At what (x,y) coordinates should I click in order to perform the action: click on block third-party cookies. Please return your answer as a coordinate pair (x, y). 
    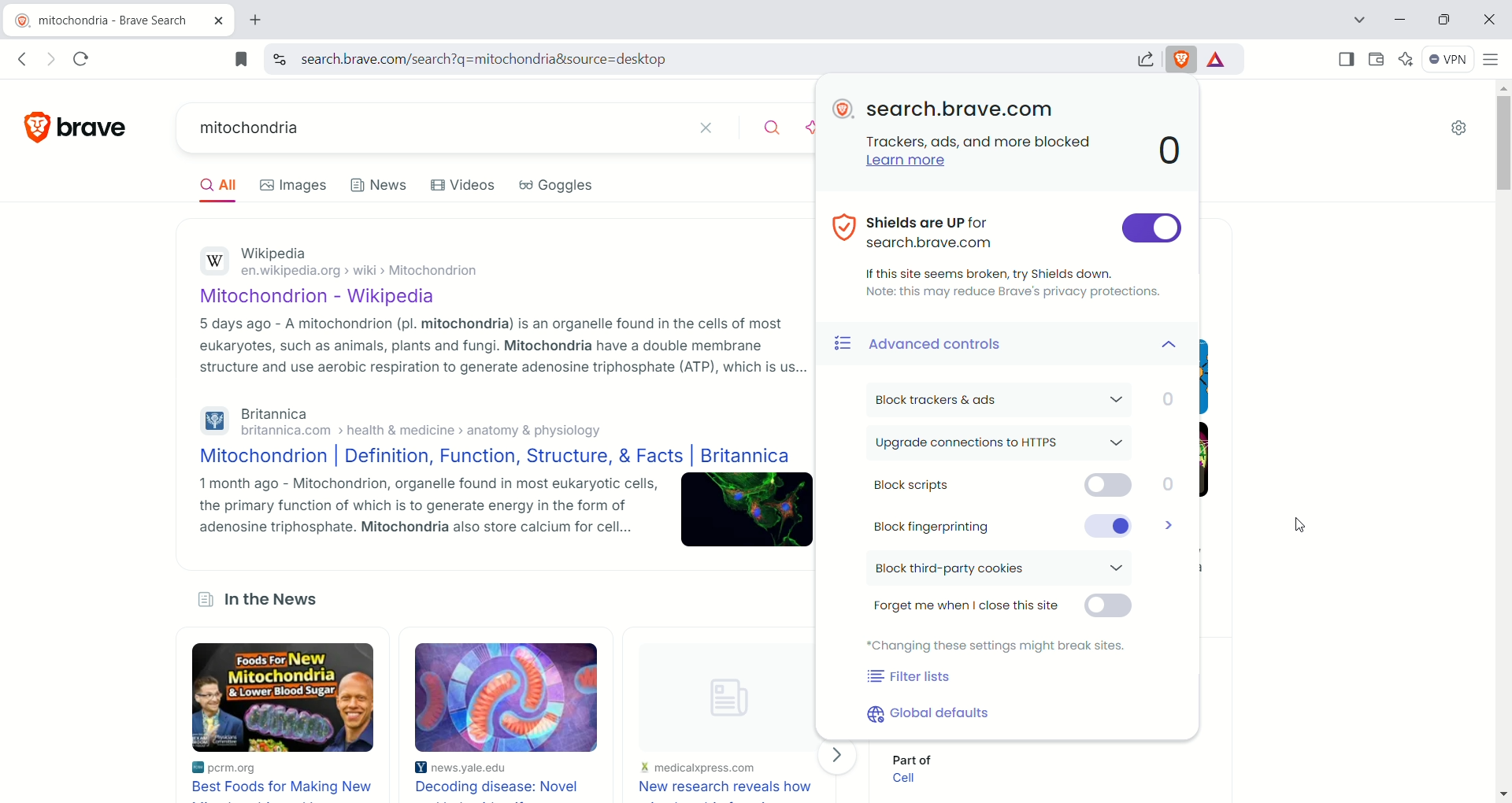
    Looking at the image, I should click on (1006, 569).